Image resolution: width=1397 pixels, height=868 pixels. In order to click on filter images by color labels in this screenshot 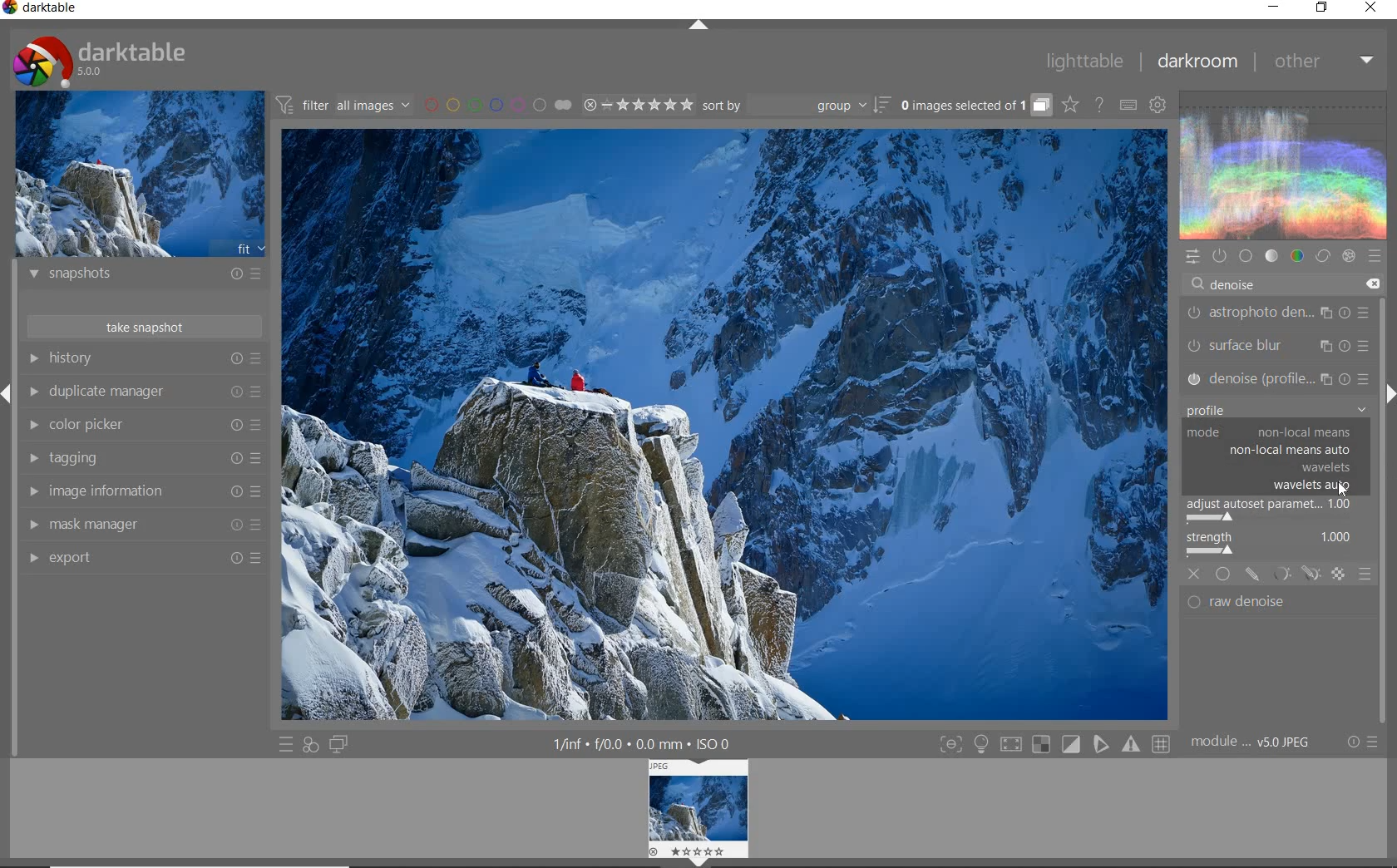, I will do `click(498, 104)`.